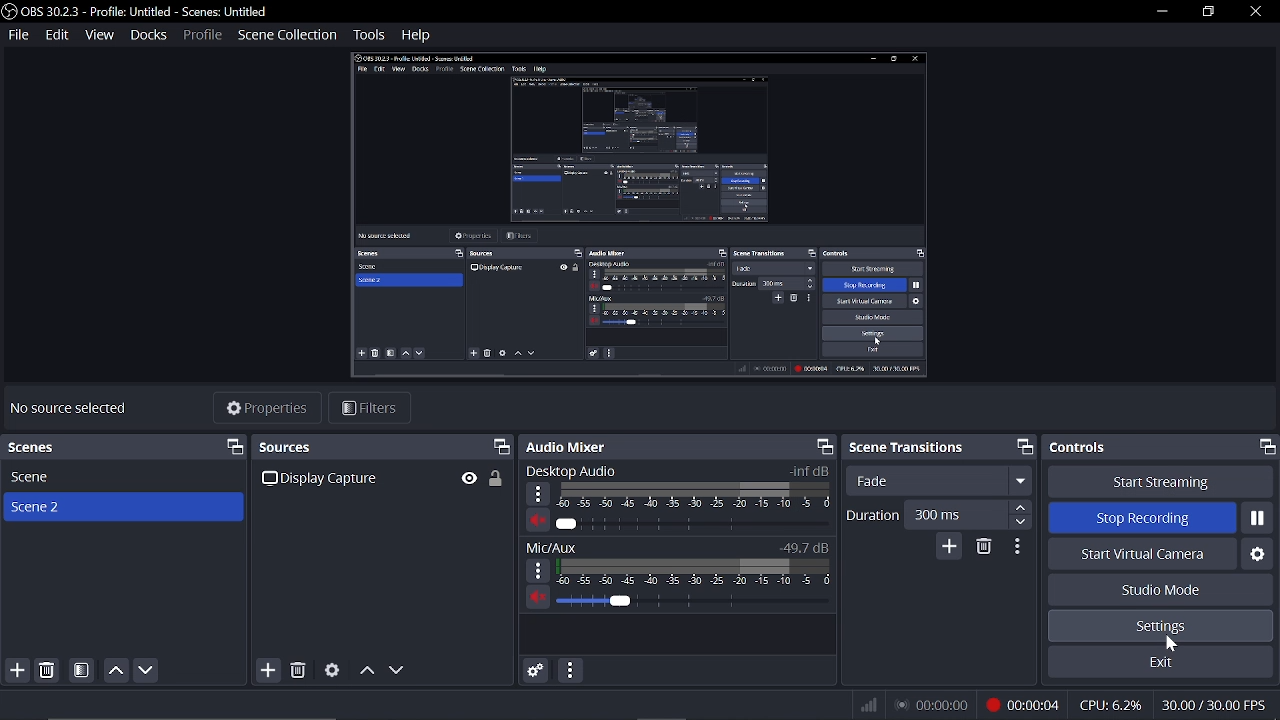 This screenshot has width=1280, height=720. Describe the element at coordinates (146, 34) in the screenshot. I see `docks` at that location.